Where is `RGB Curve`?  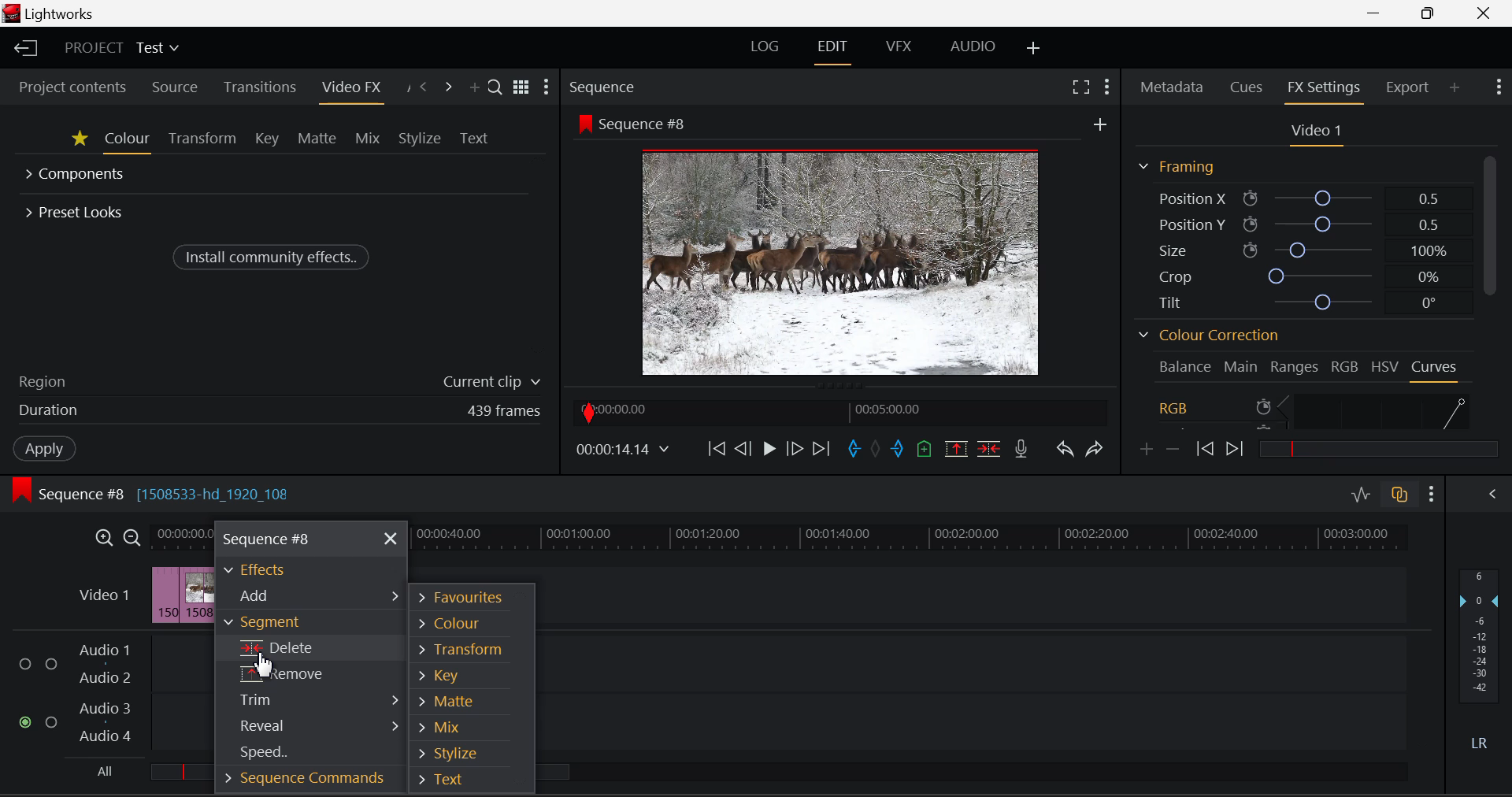 RGB Curve is located at coordinates (1314, 410).